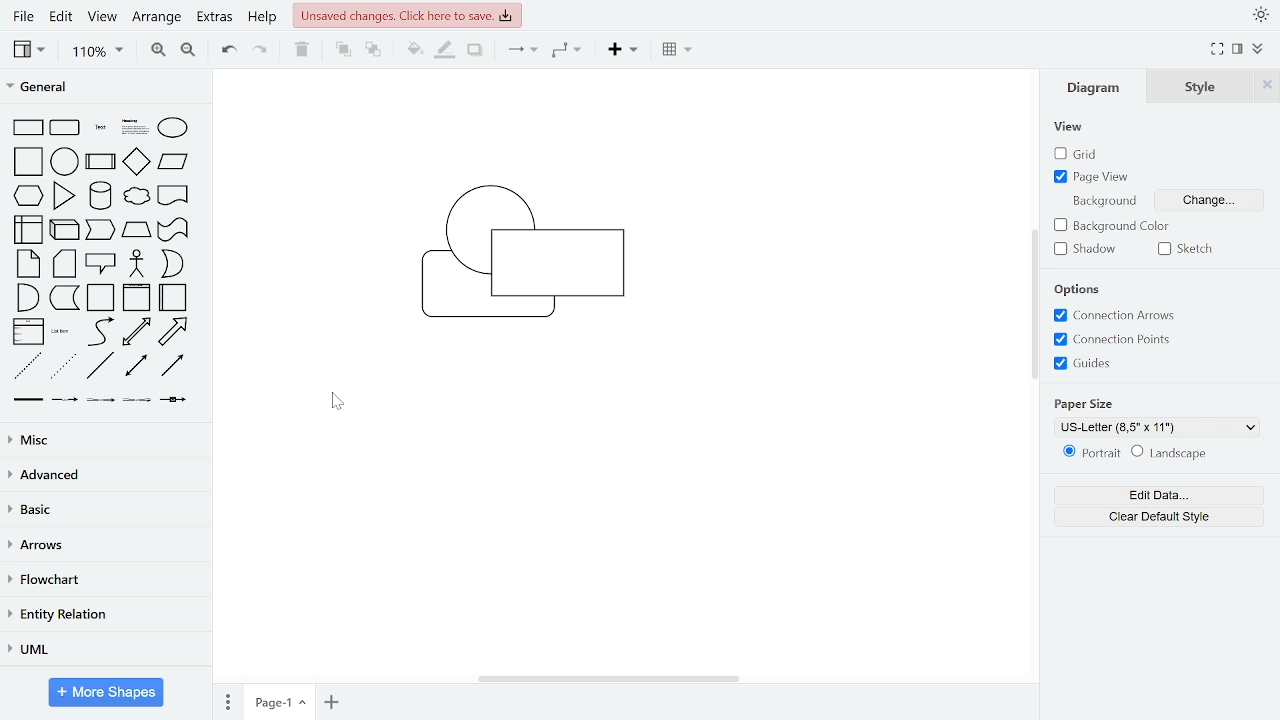 The image size is (1280, 720). I want to click on note, so click(28, 264).